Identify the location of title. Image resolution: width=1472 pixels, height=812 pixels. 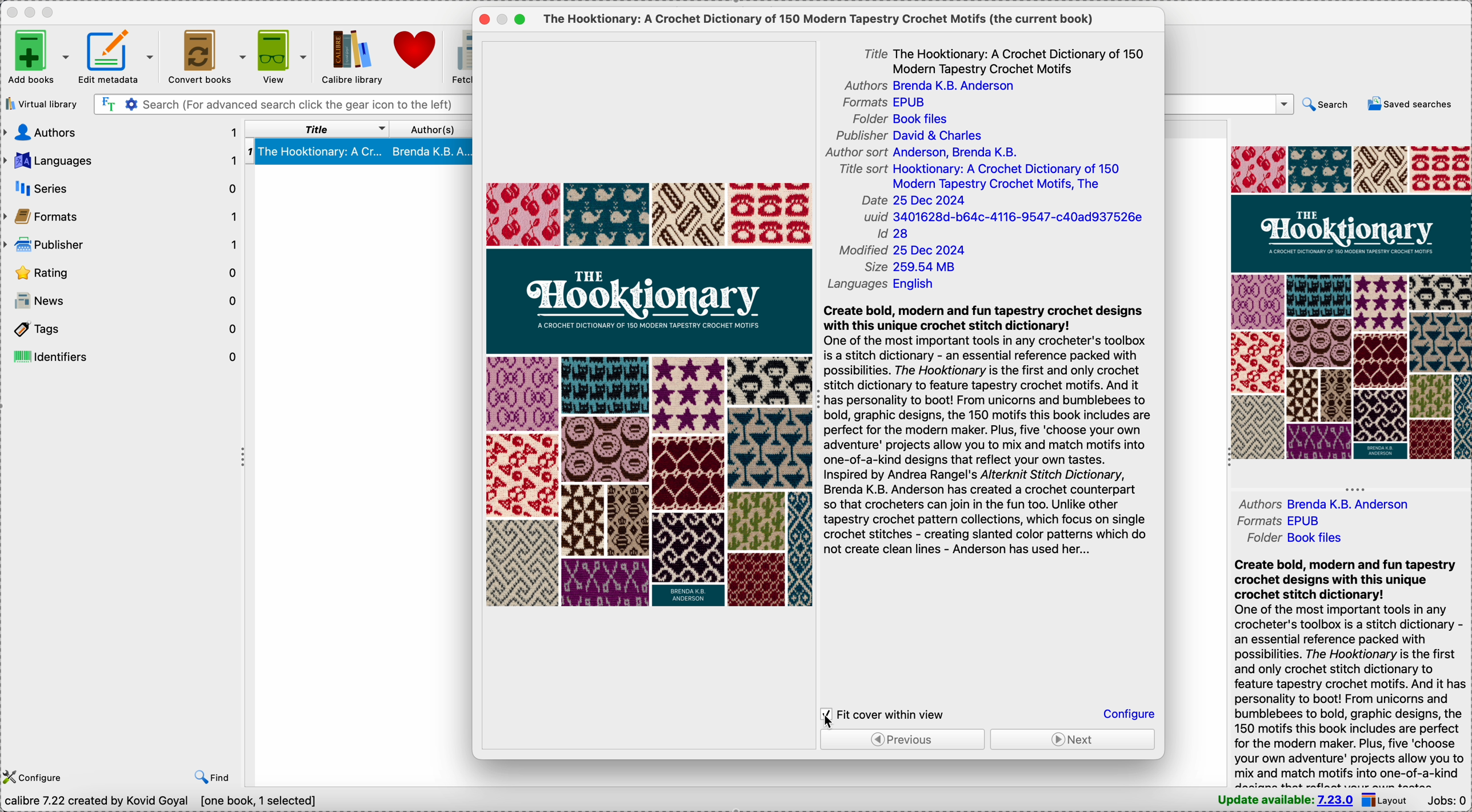
(1007, 59).